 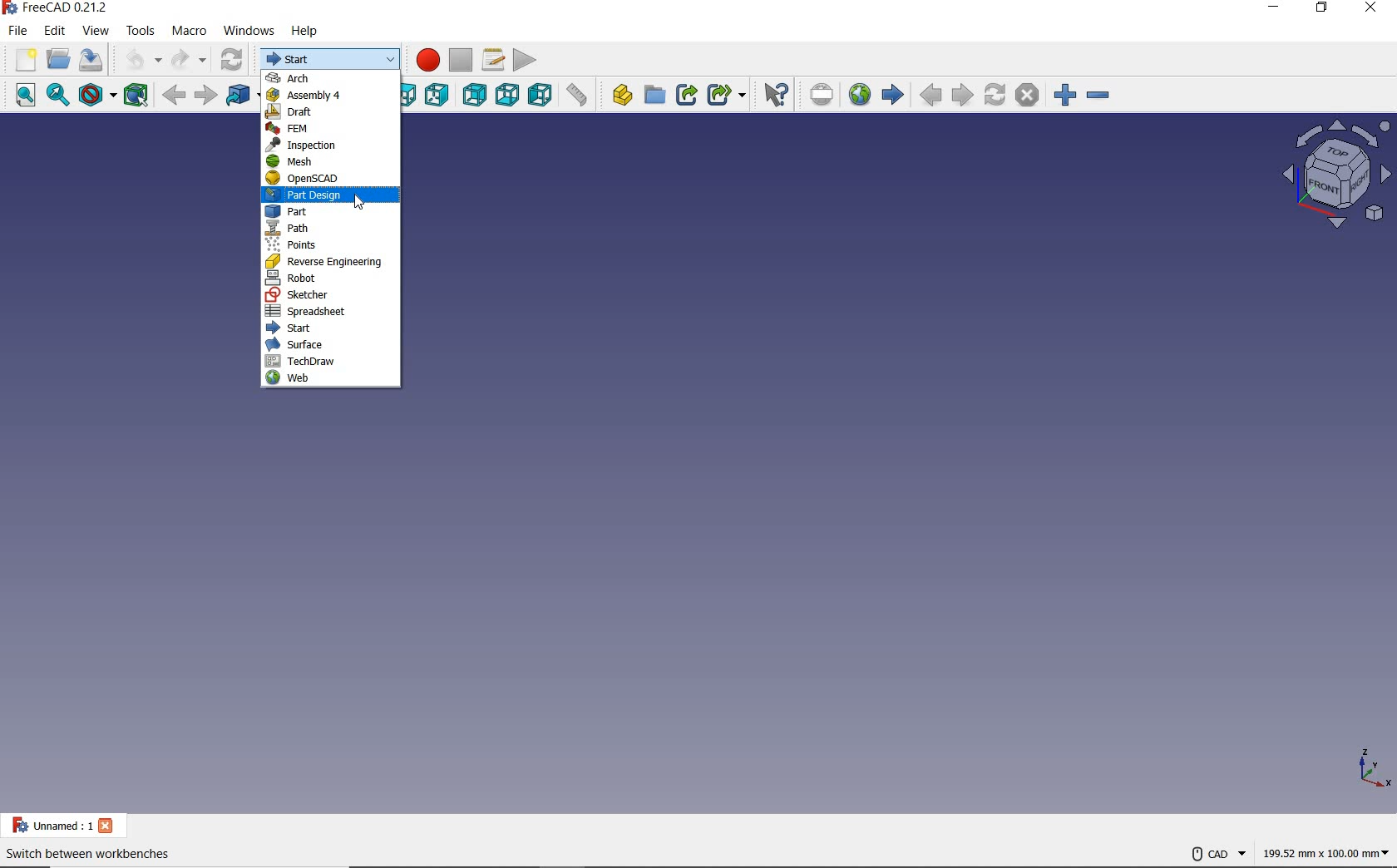 What do you see at coordinates (97, 31) in the screenshot?
I see `VIEW` at bounding box center [97, 31].